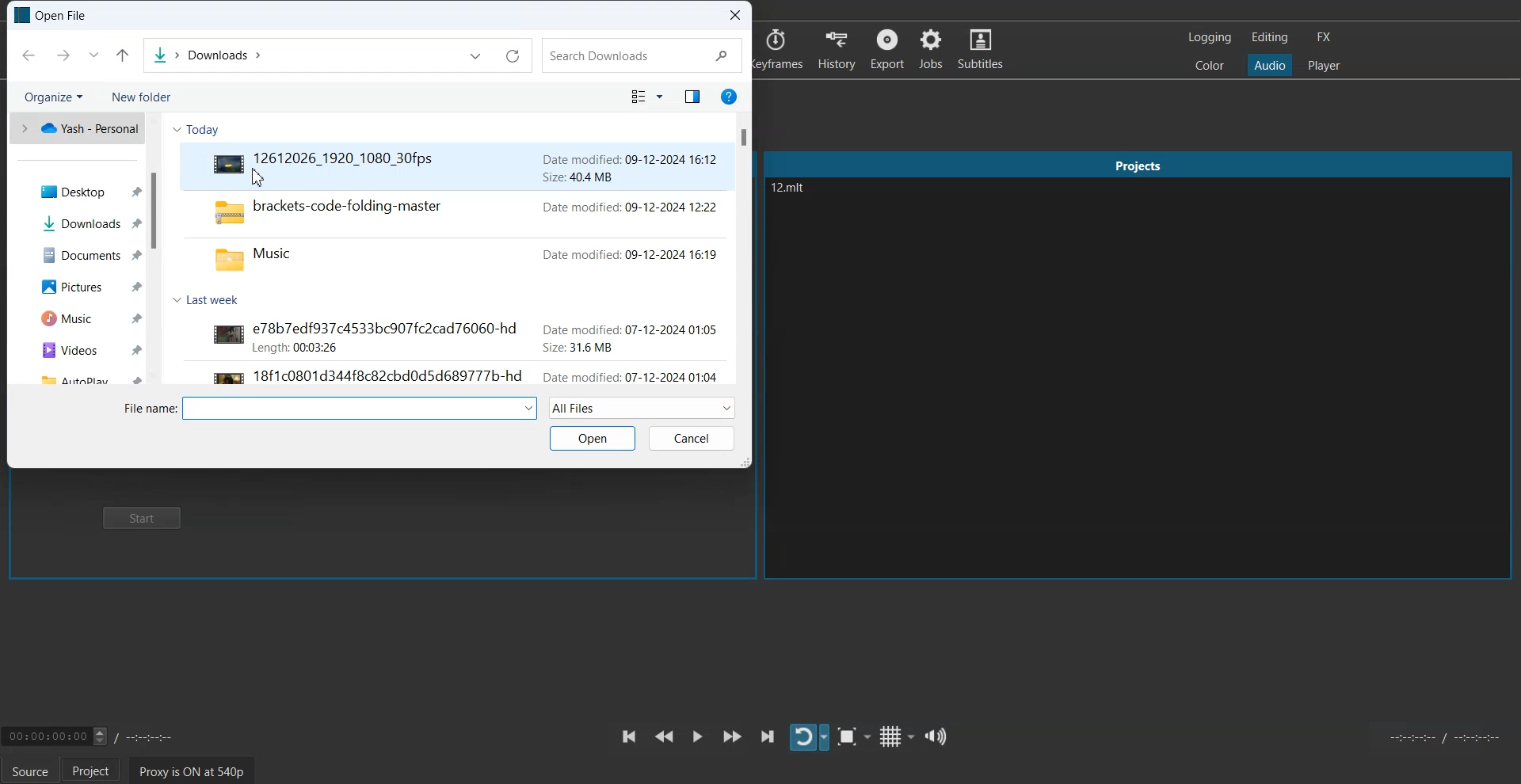 The width and height of the screenshot is (1521, 784). Describe the element at coordinates (329, 408) in the screenshot. I see `File Name` at that location.